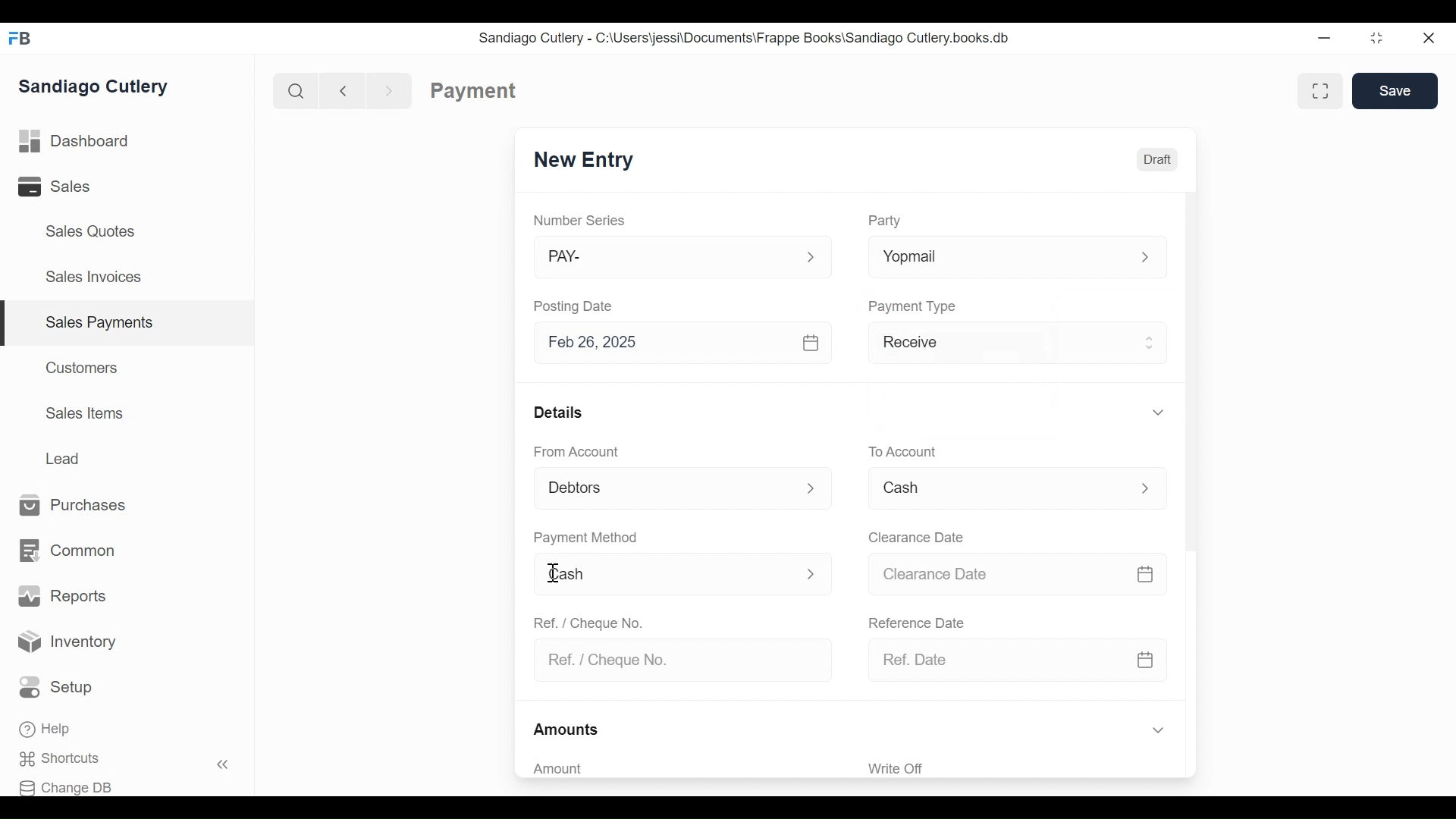  Describe the element at coordinates (74, 506) in the screenshot. I see `Purchases` at that location.